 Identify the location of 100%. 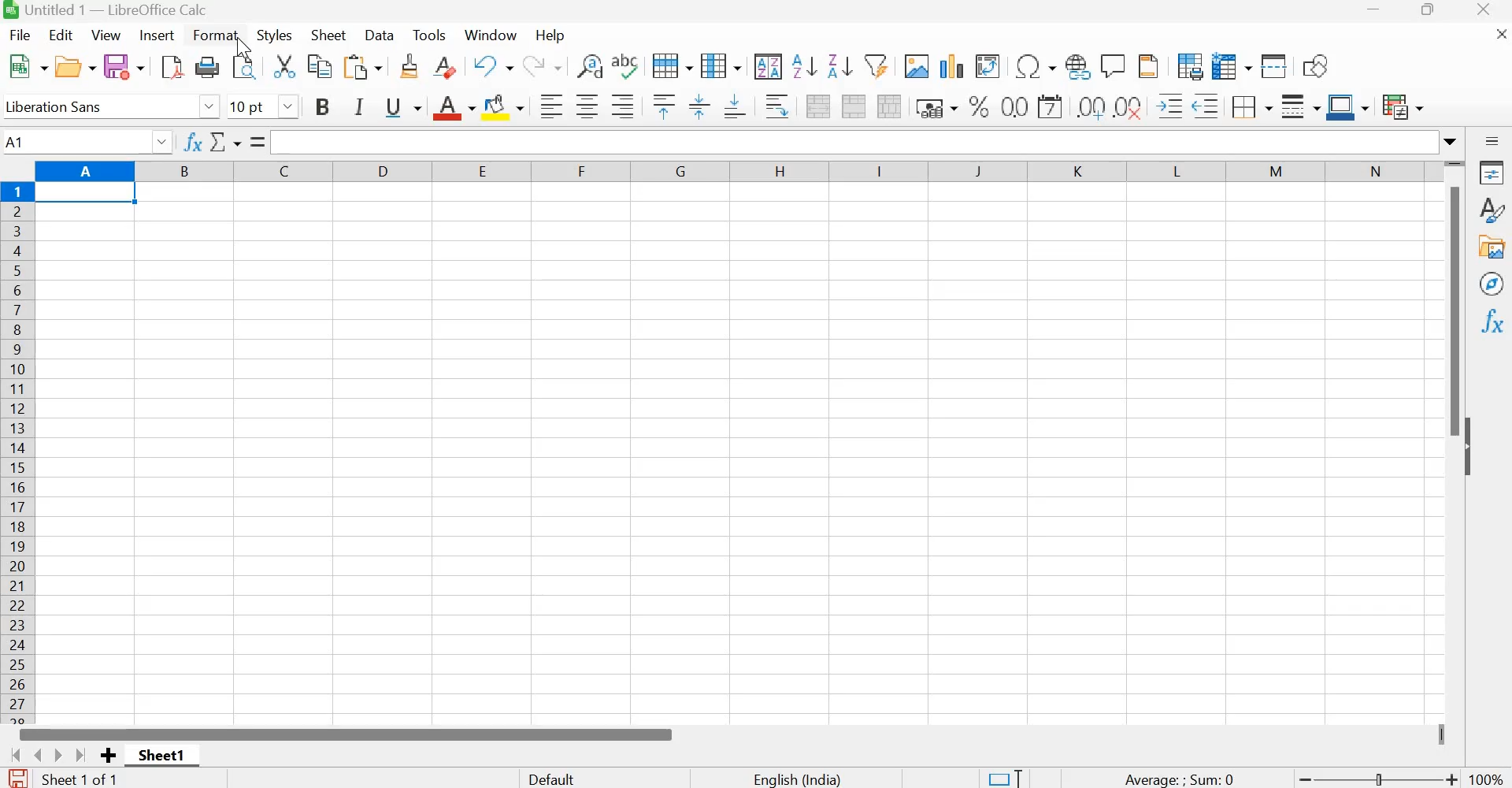
(1489, 779).